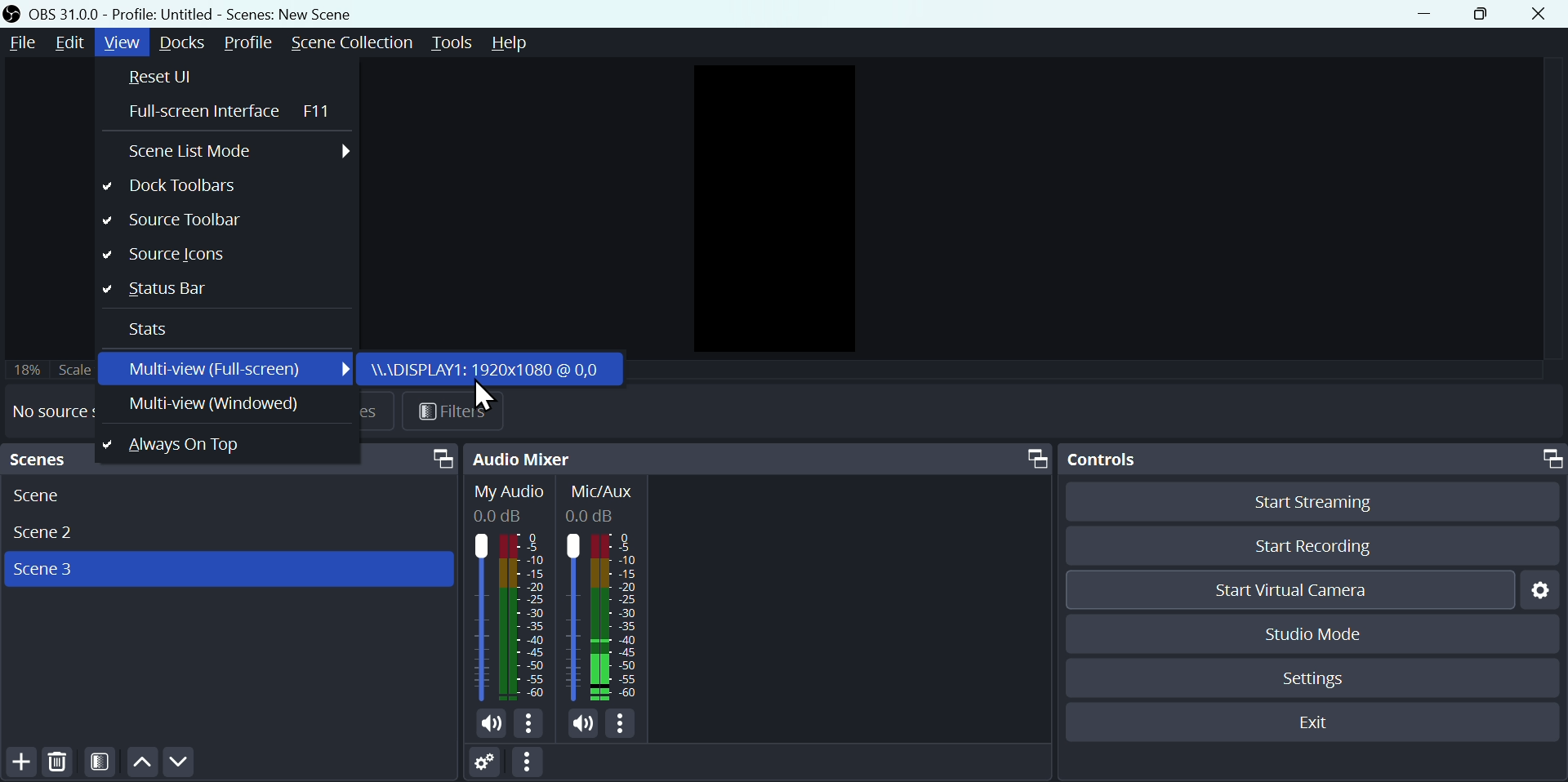  Describe the element at coordinates (1312, 460) in the screenshot. I see `Controls` at that location.